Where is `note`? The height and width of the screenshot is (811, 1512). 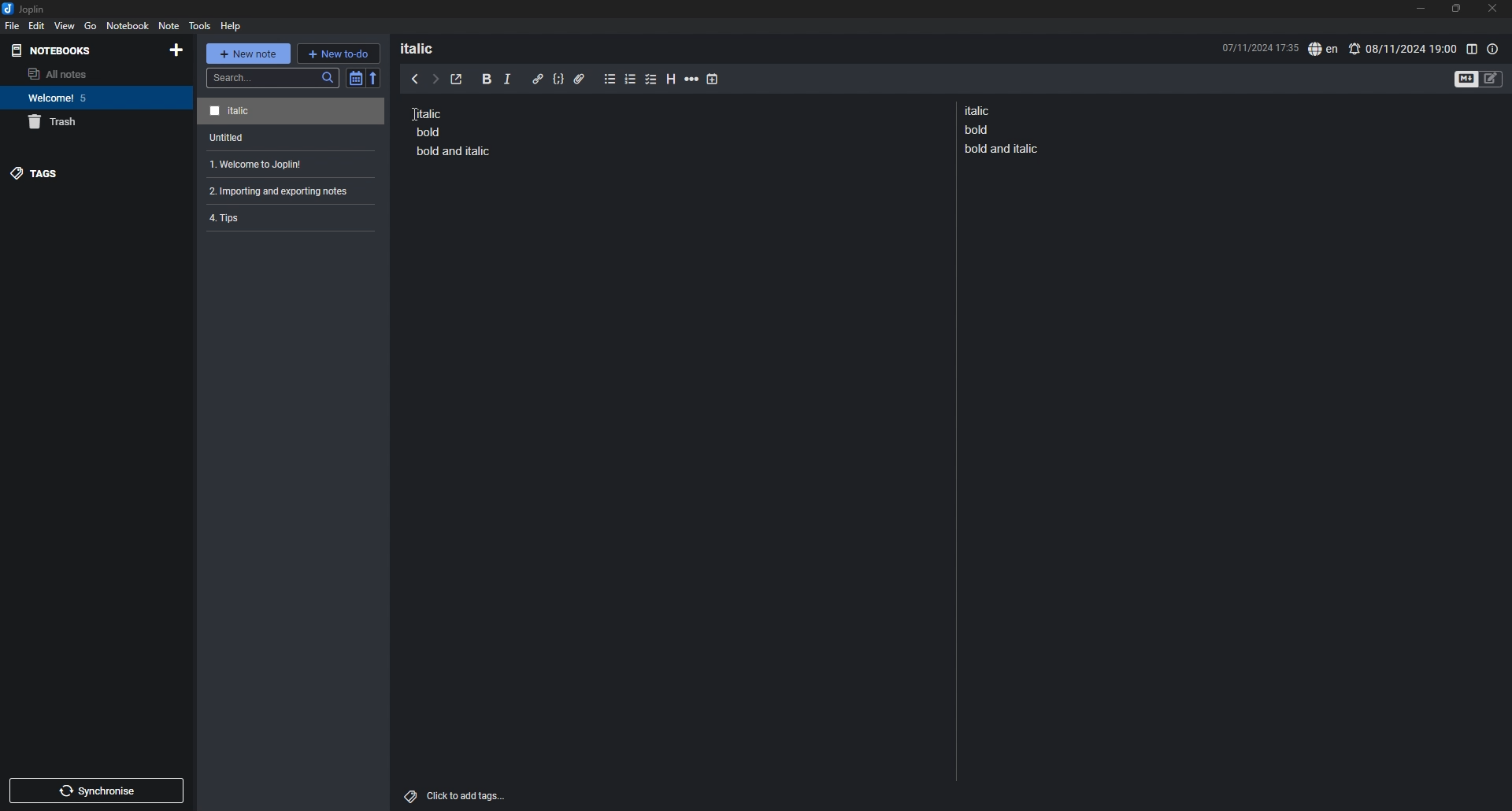 note is located at coordinates (285, 217).